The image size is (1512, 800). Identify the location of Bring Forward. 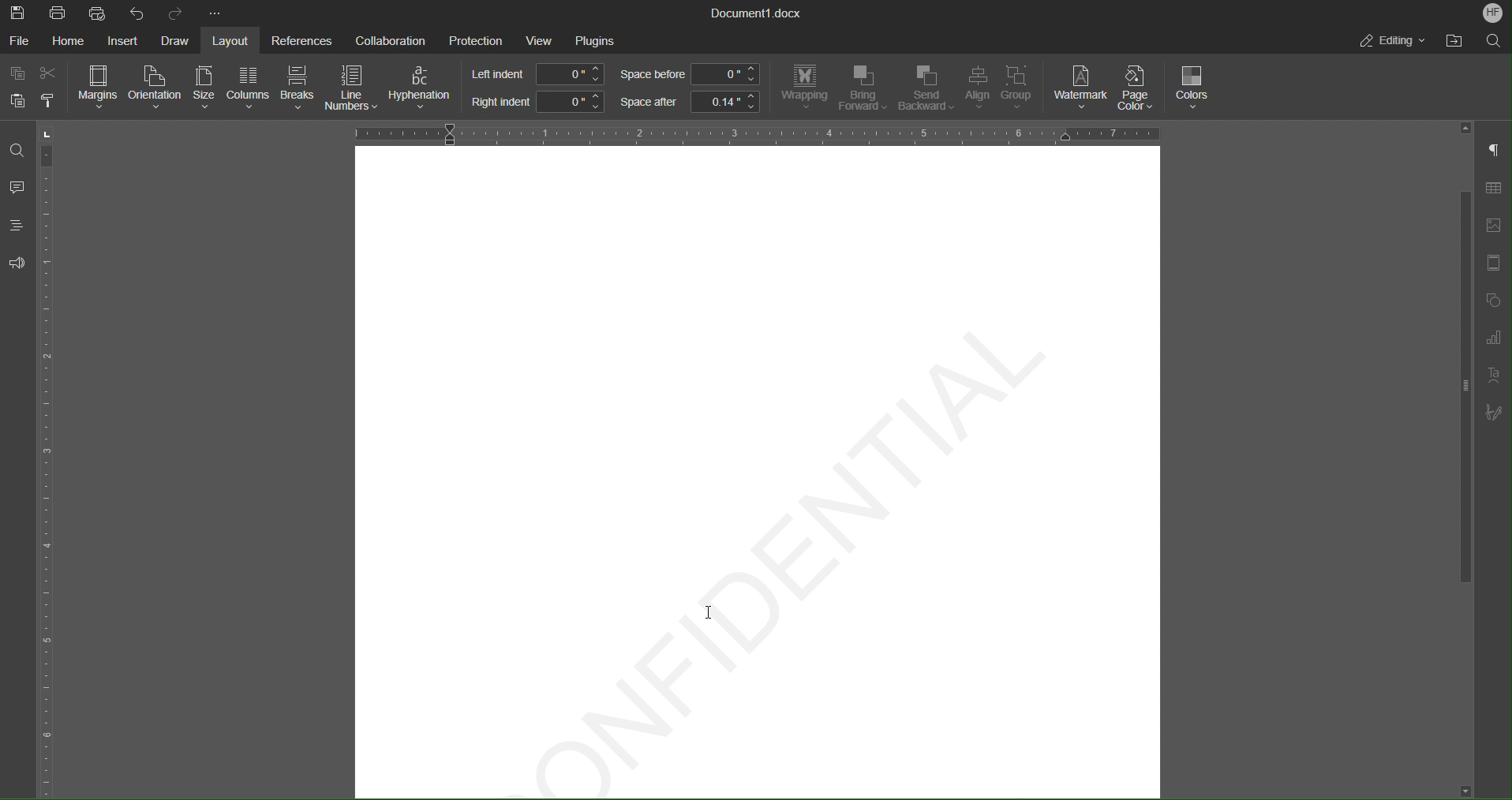
(863, 88).